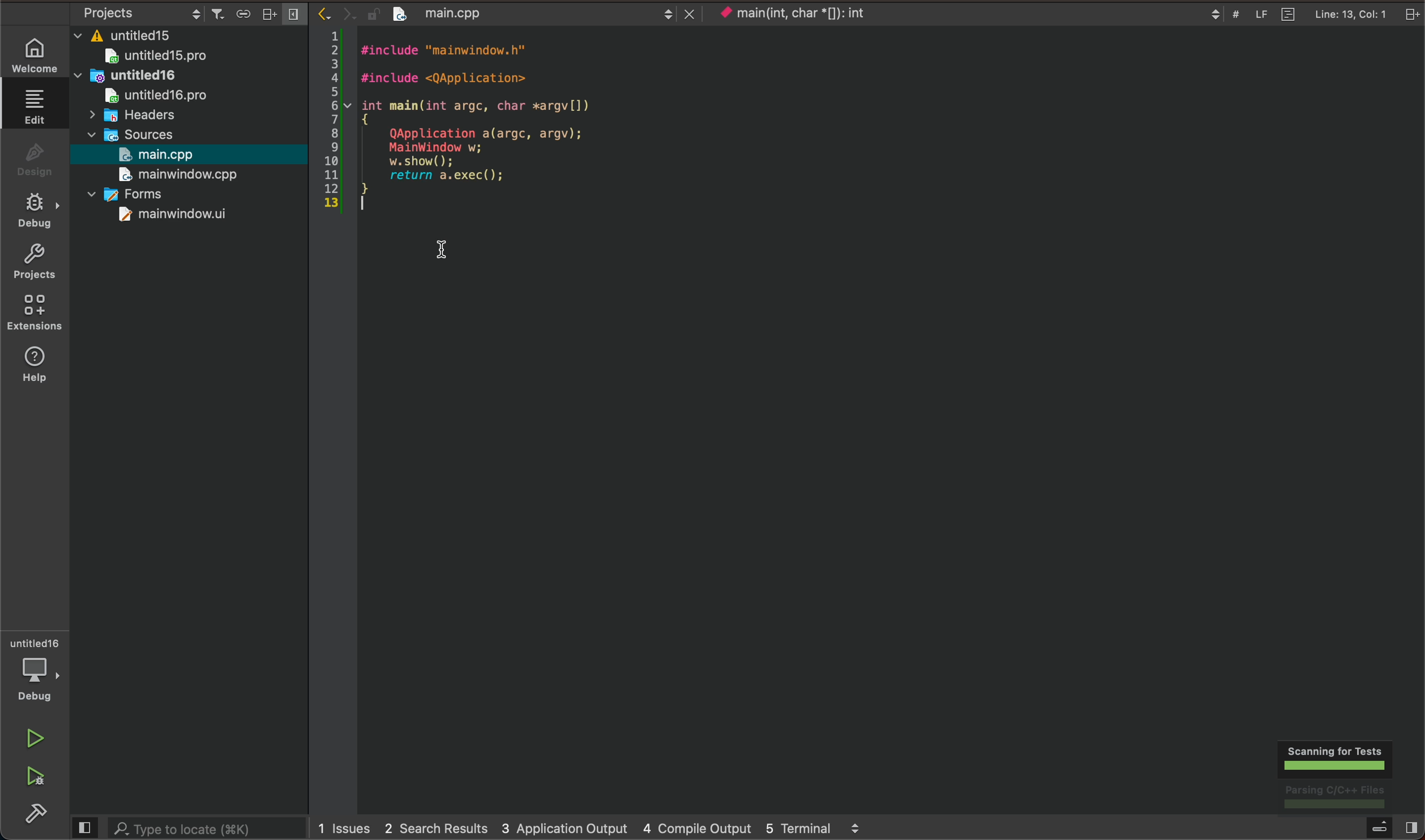 This screenshot has width=1425, height=840. What do you see at coordinates (333, 120) in the screenshot?
I see `numbered scale` at bounding box center [333, 120].